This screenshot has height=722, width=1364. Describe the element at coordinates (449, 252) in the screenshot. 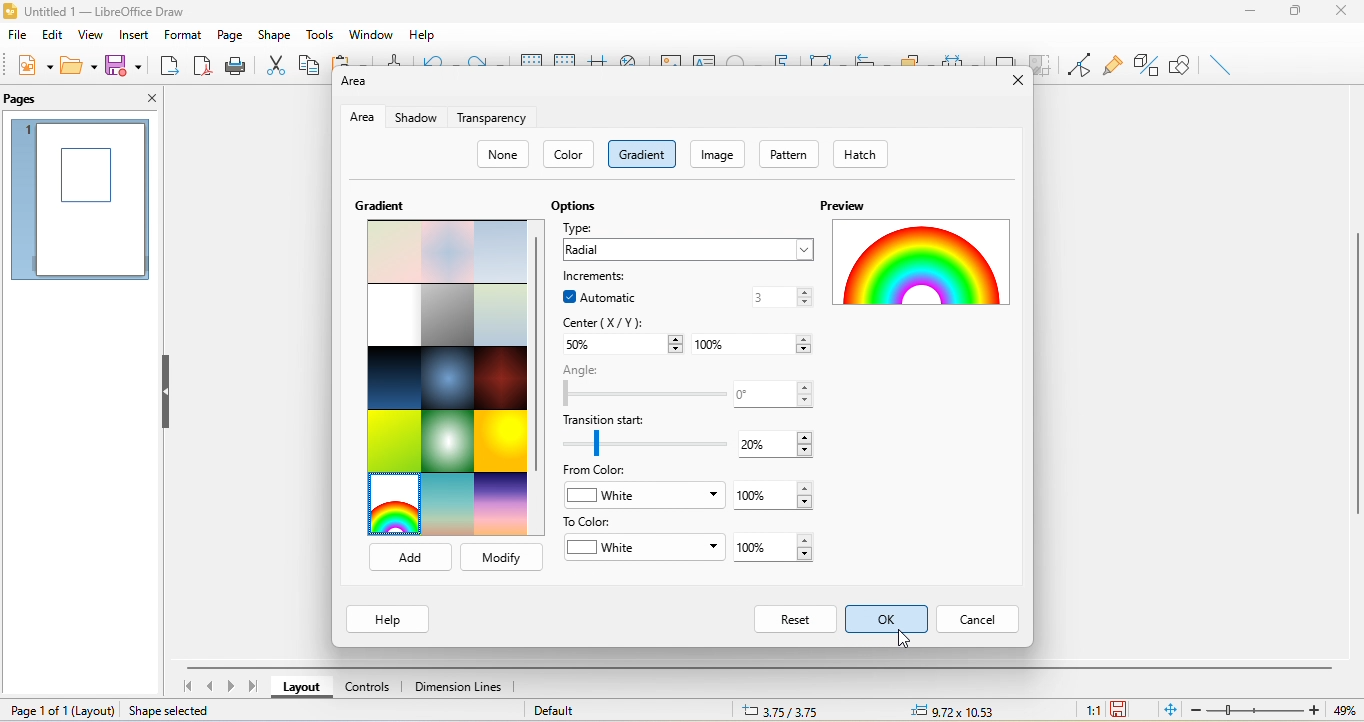

I see `pastel dream` at that location.